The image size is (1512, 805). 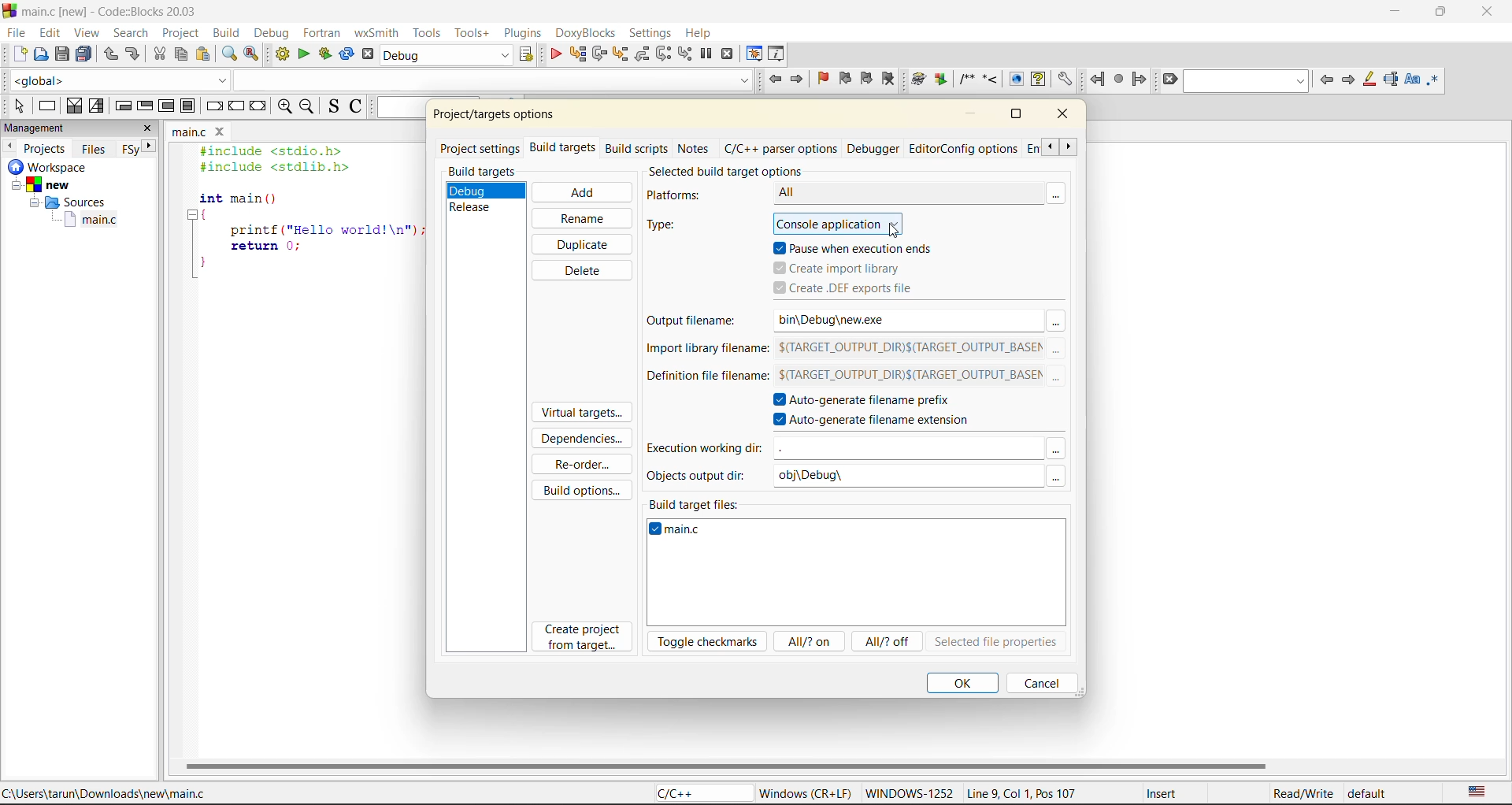 What do you see at coordinates (1412, 81) in the screenshot?
I see `match case` at bounding box center [1412, 81].